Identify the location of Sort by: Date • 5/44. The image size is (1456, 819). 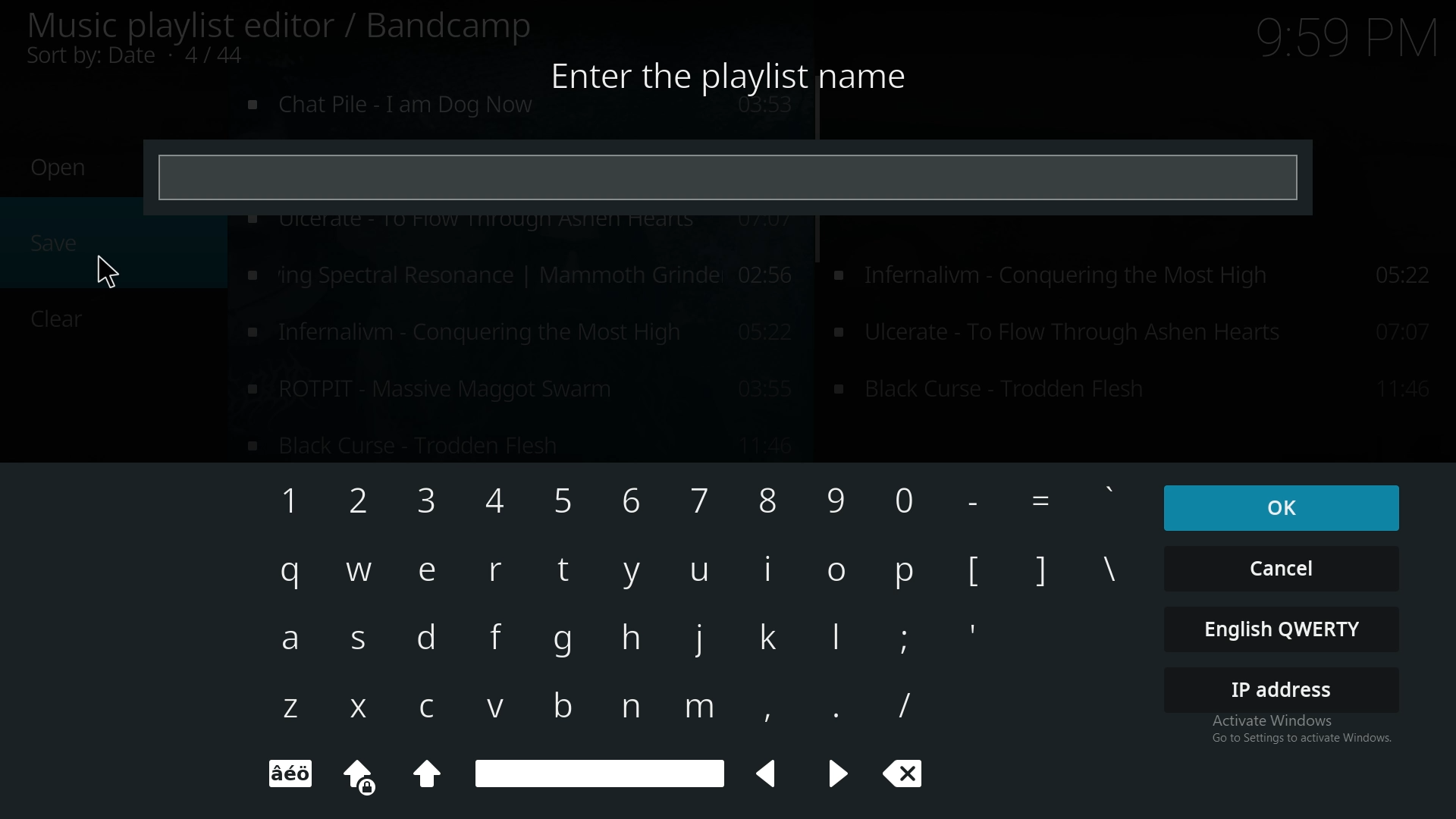
(161, 58).